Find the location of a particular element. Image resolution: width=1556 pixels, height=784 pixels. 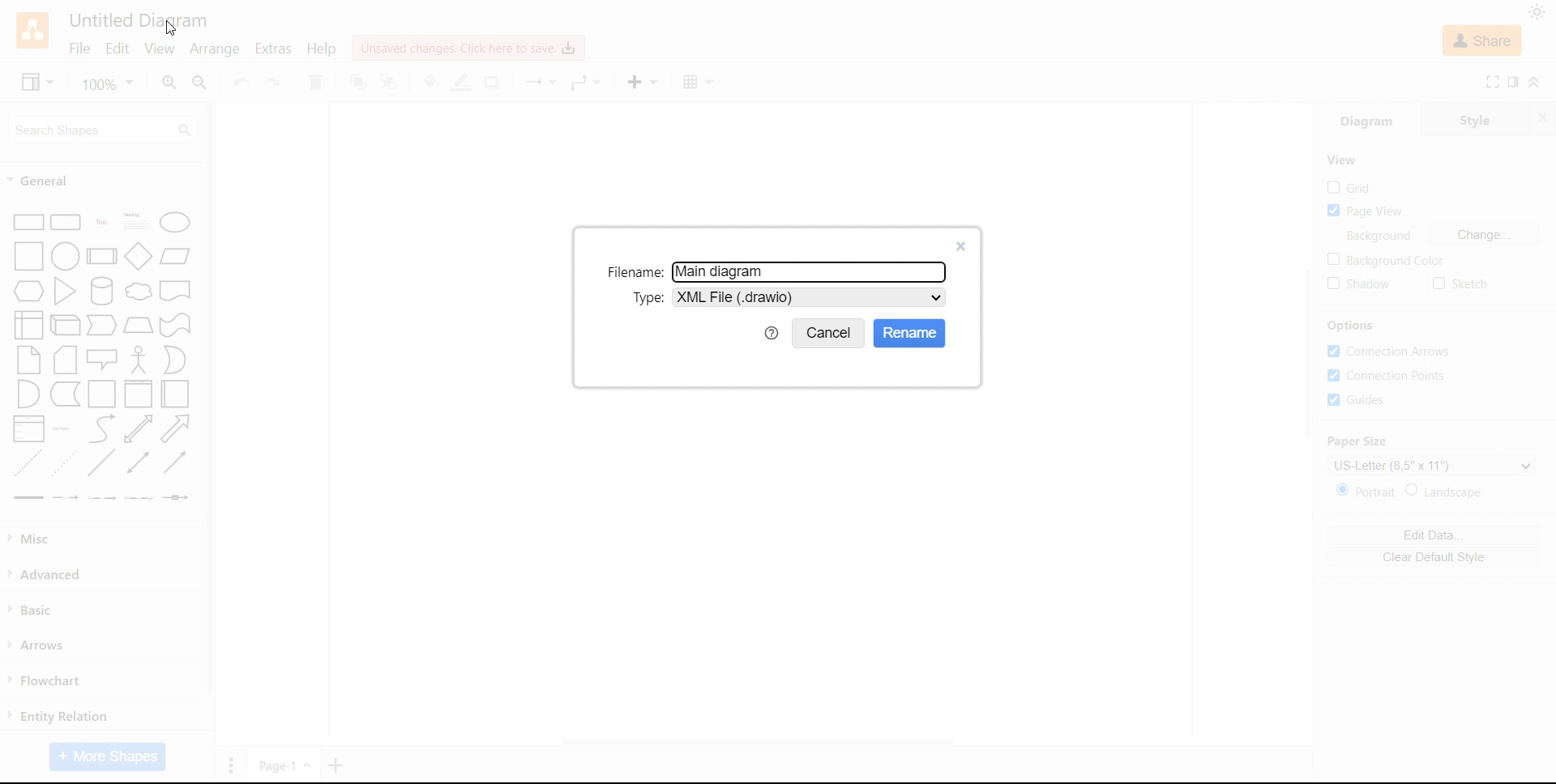

connection arrows  is located at coordinates (1389, 352).